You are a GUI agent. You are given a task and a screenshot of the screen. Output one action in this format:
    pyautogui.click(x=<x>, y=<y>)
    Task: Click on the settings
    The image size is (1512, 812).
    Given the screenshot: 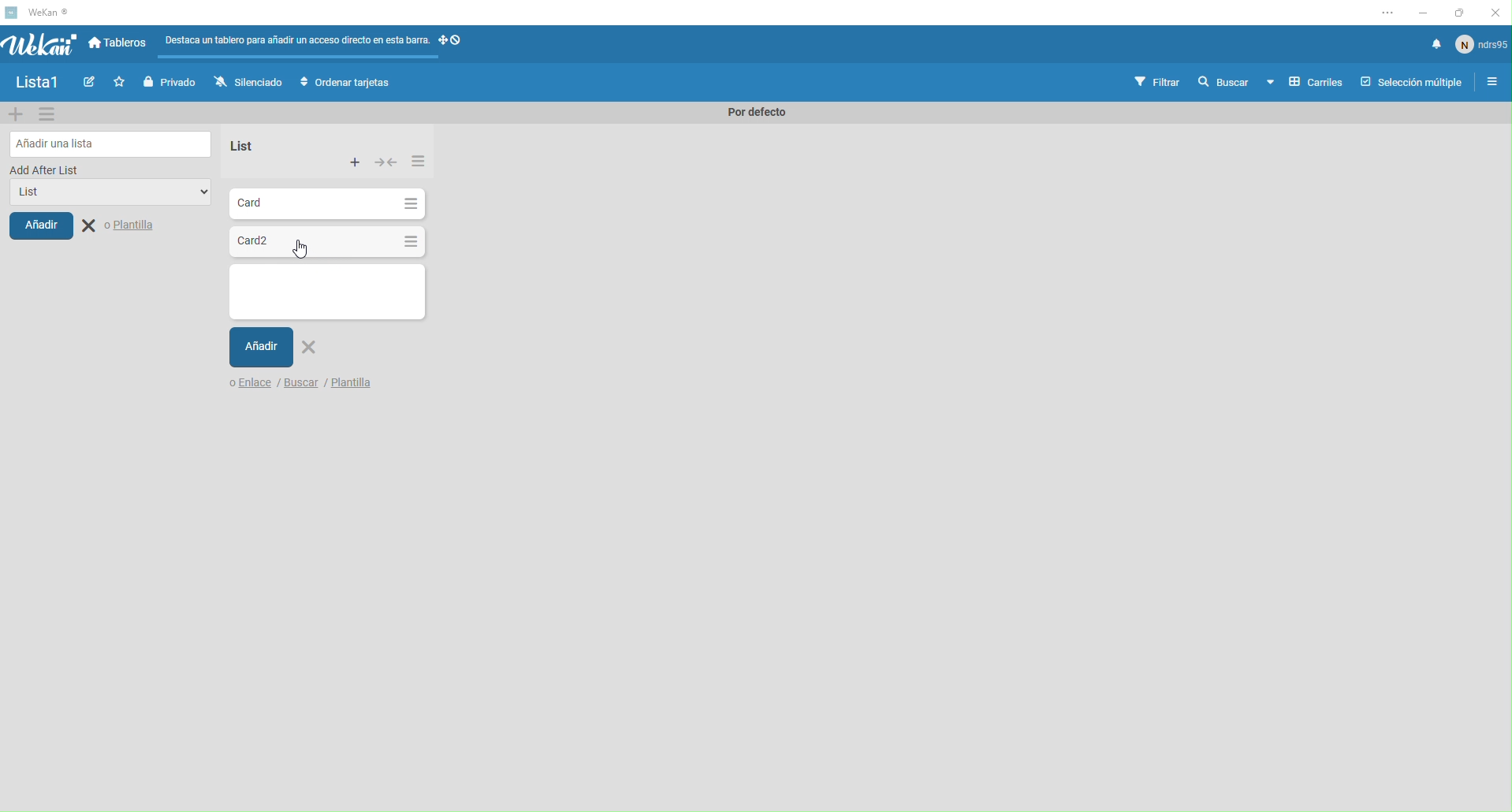 What is the action you would take?
    pyautogui.click(x=1380, y=14)
    